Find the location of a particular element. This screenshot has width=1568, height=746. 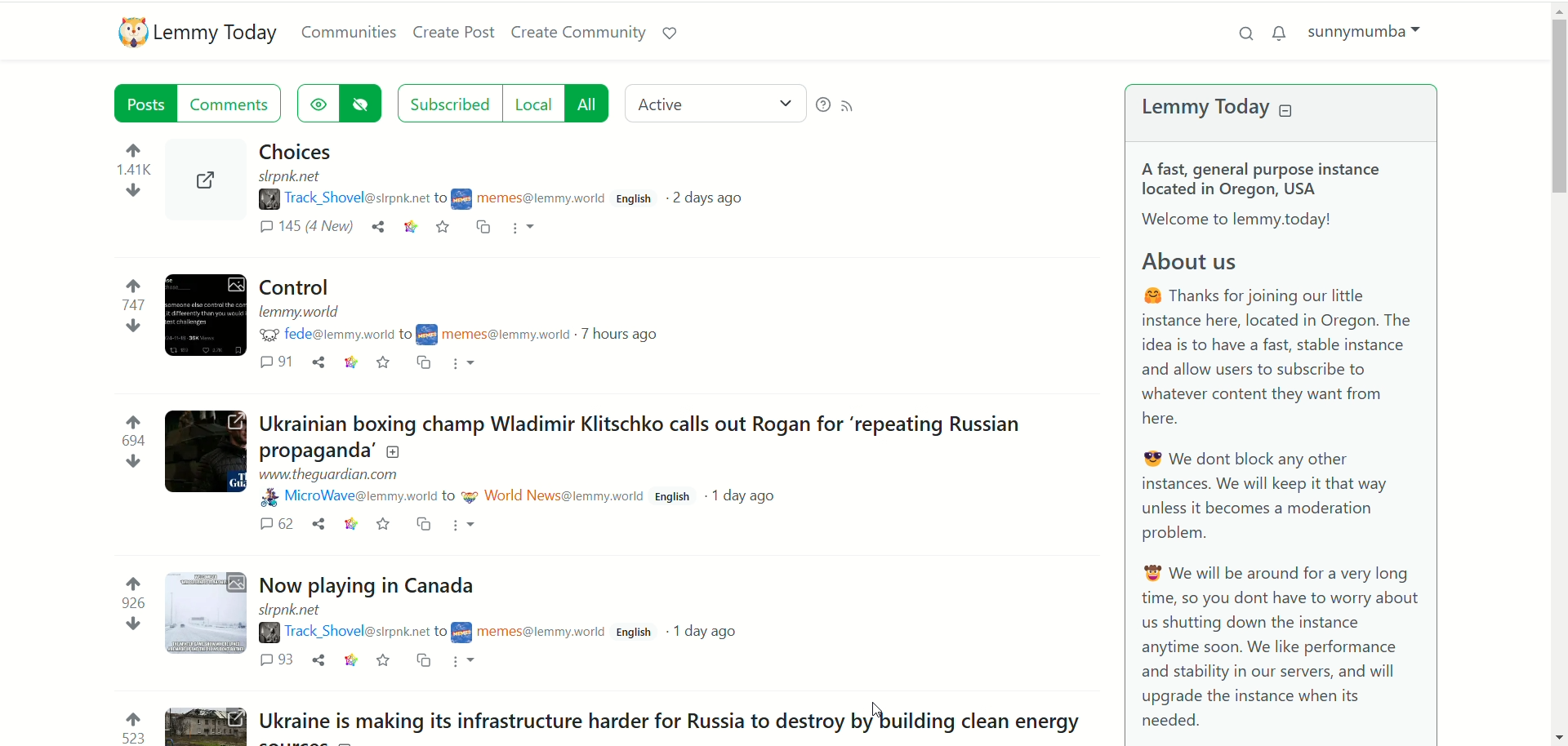

communities is located at coordinates (345, 33).